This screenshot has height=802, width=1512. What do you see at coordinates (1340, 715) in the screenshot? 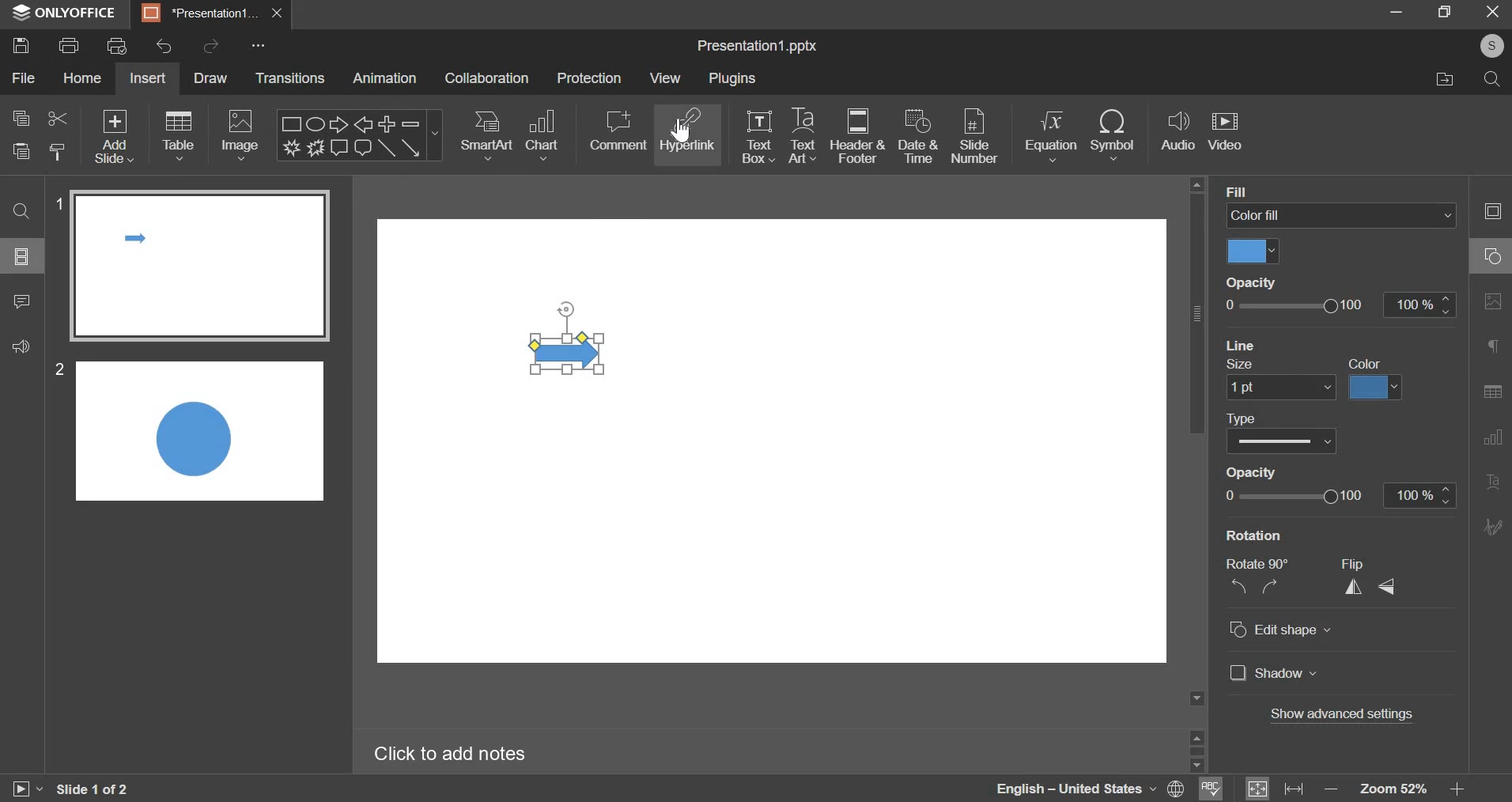
I see `show advanced settings` at bounding box center [1340, 715].